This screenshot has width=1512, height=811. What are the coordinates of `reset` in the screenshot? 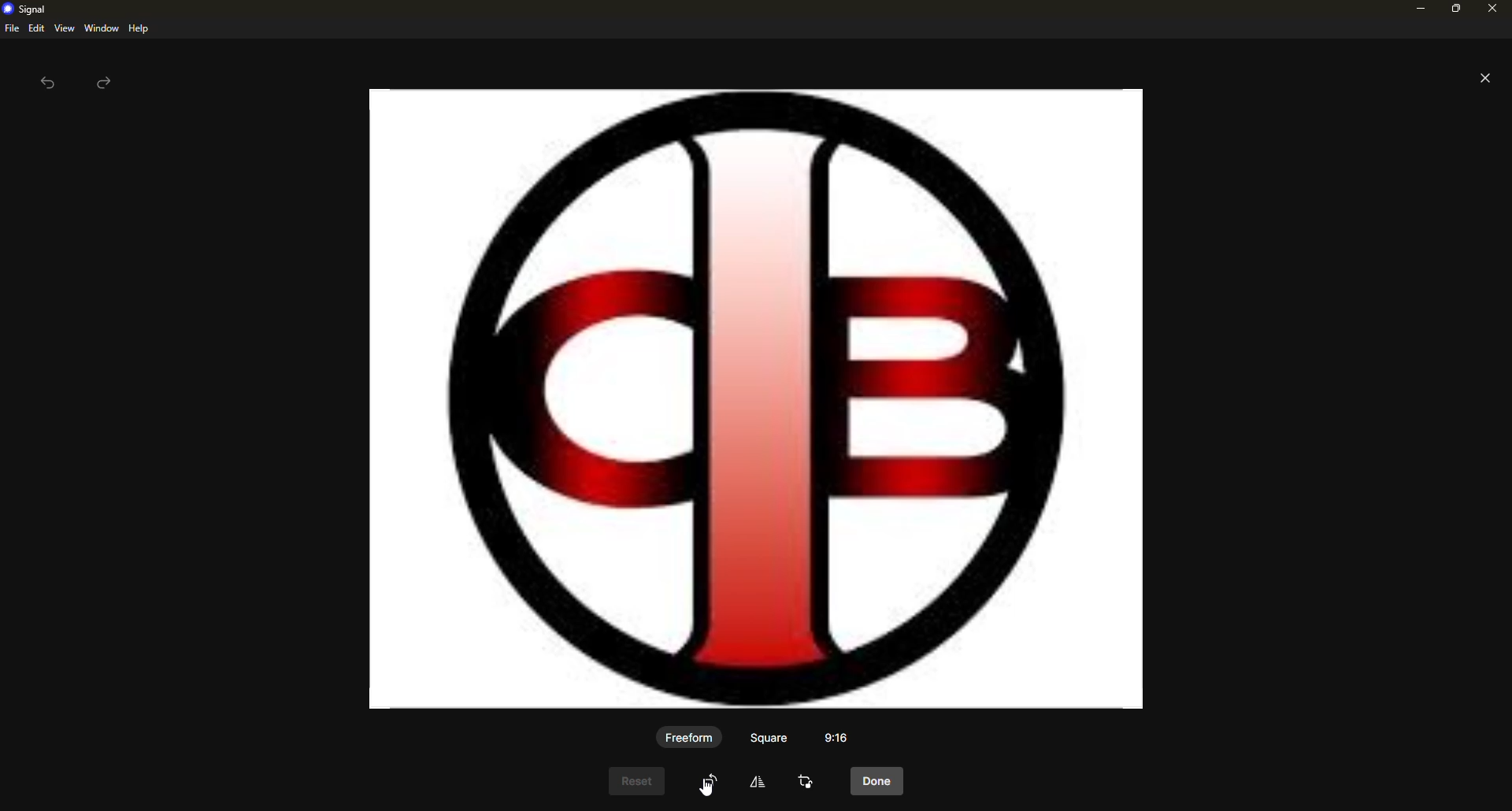 It's located at (640, 780).